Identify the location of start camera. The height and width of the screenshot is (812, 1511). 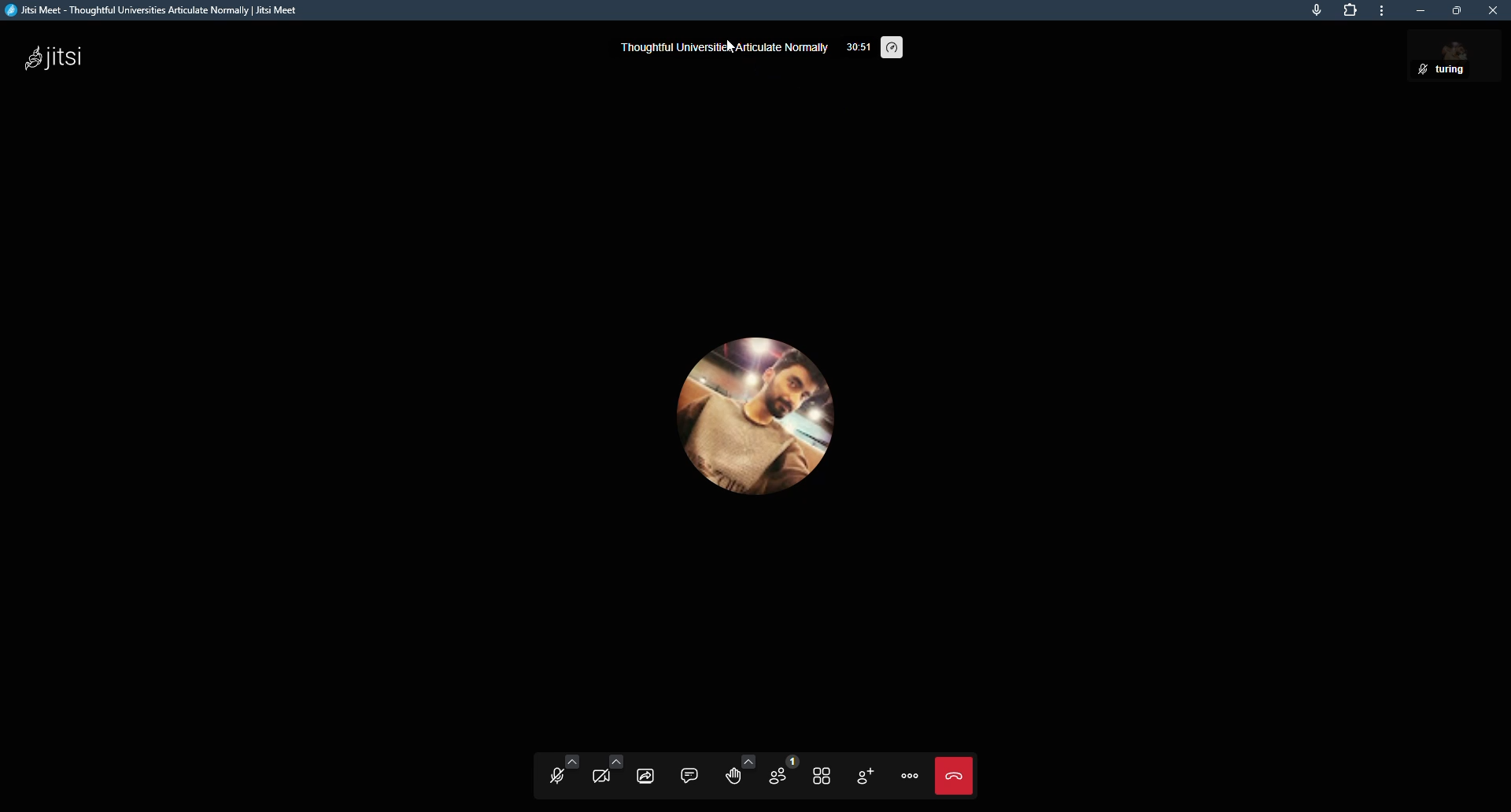
(605, 773).